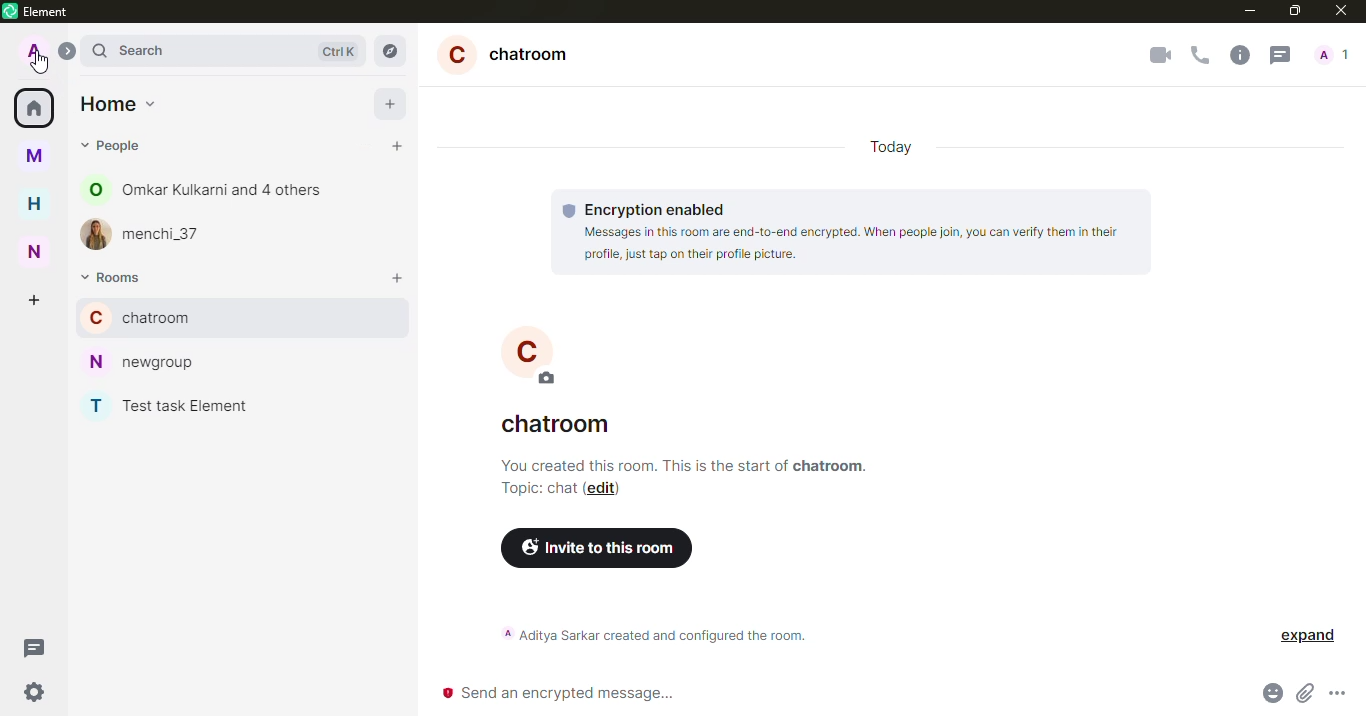  I want to click on create space, so click(34, 299).